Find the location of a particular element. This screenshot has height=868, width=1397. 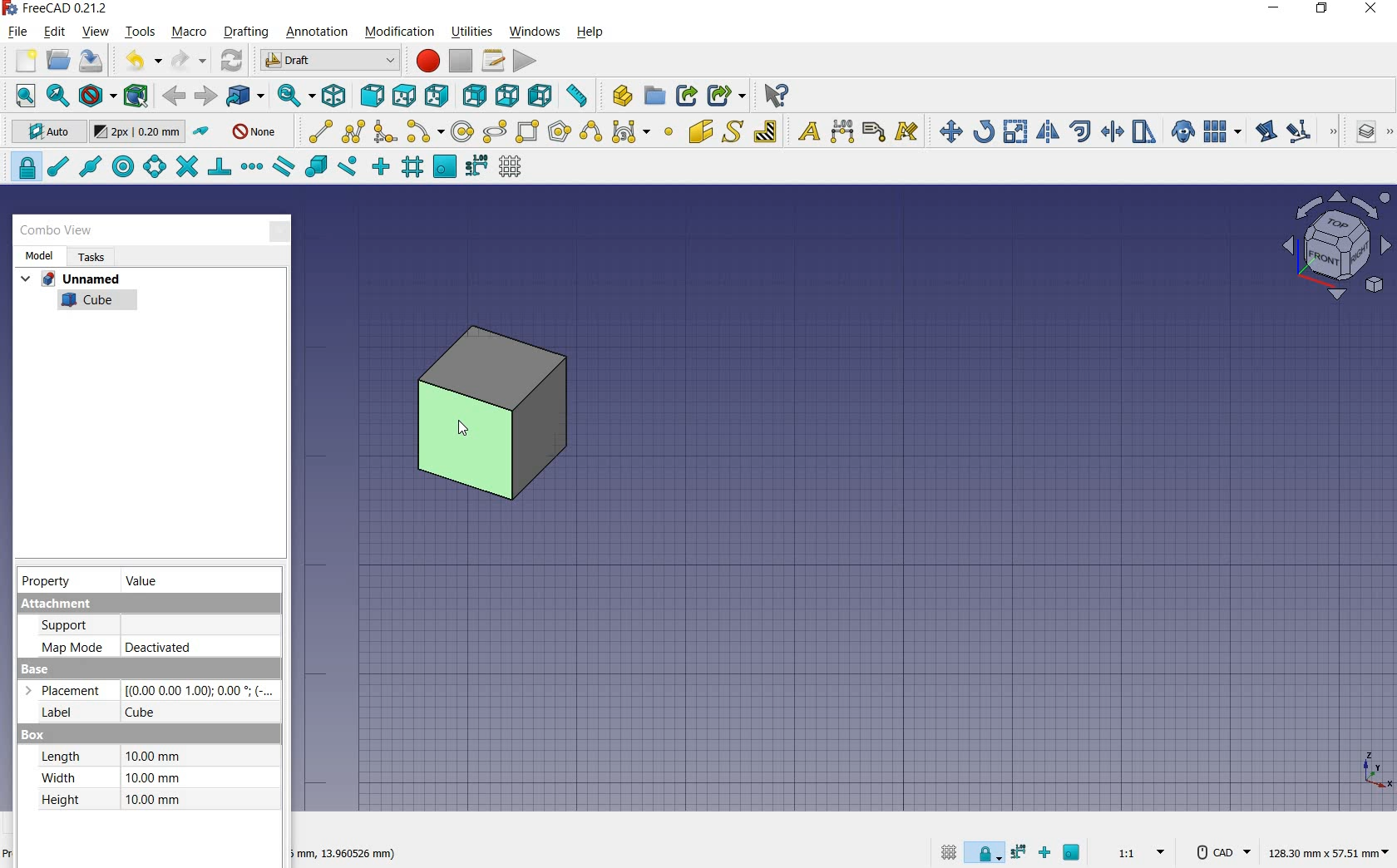

Height: 10.00 mm is located at coordinates (113, 800).